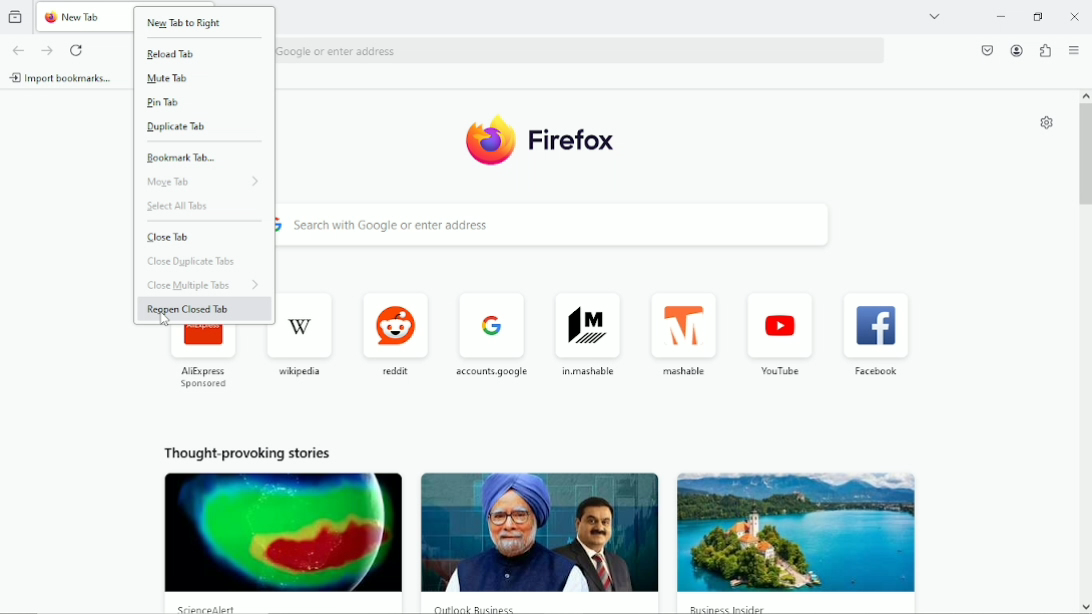 This screenshot has width=1092, height=614. I want to click on close multiple tabs, so click(199, 285).